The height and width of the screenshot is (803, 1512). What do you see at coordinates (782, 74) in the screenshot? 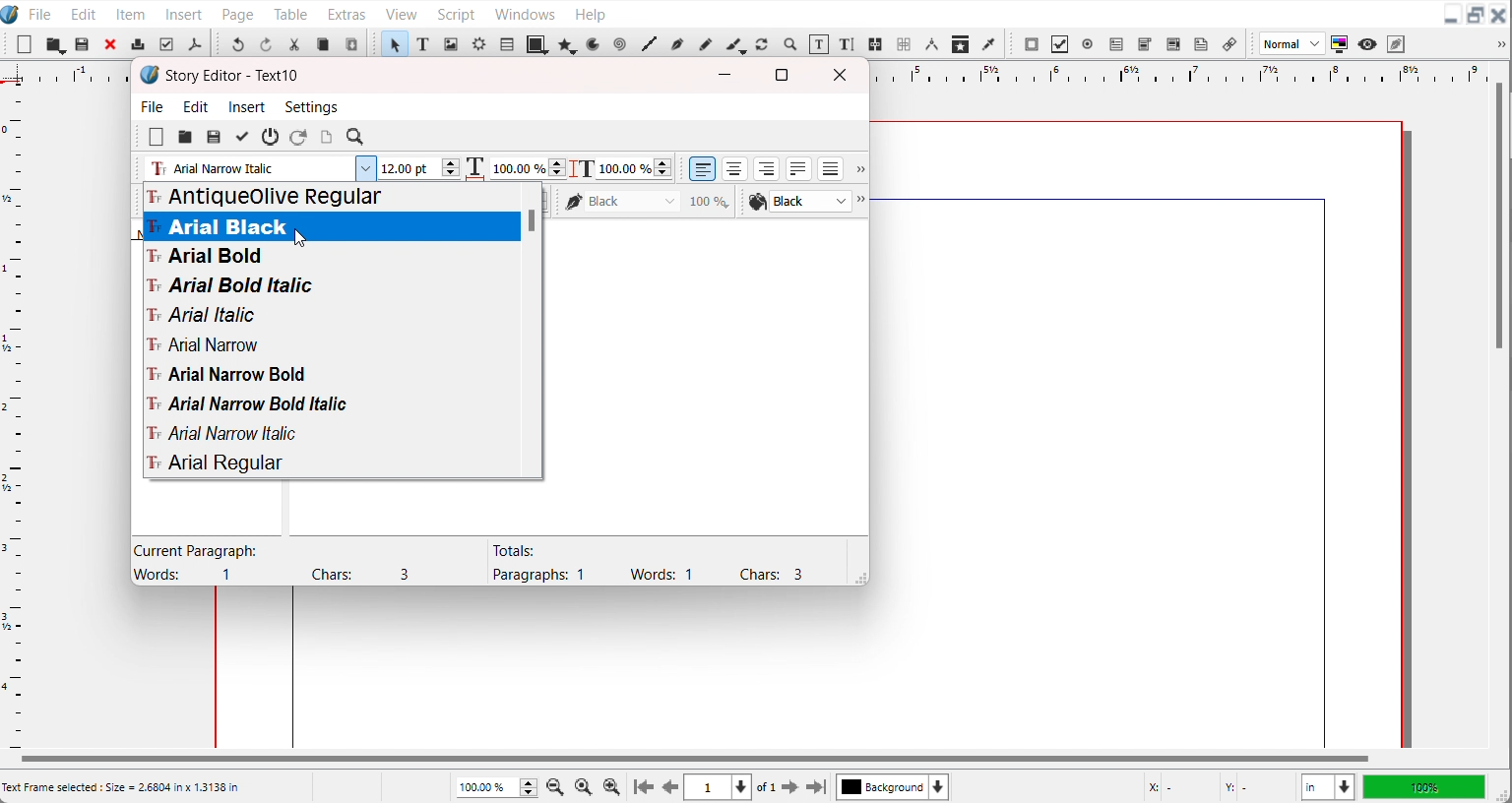
I see `Maximize` at bounding box center [782, 74].